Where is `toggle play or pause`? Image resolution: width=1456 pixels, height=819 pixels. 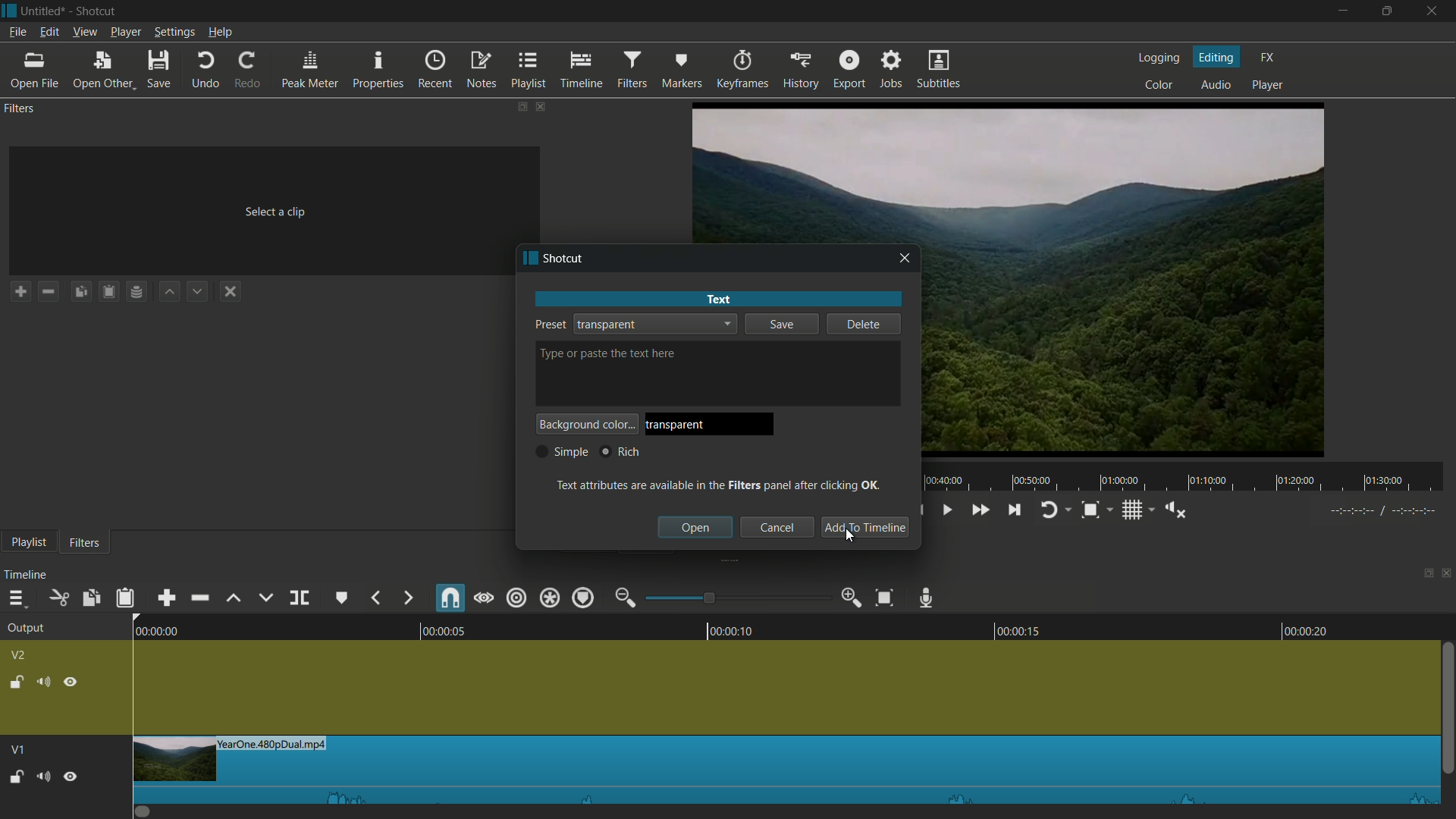
toggle play or pause is located at coordinates (949, 510).